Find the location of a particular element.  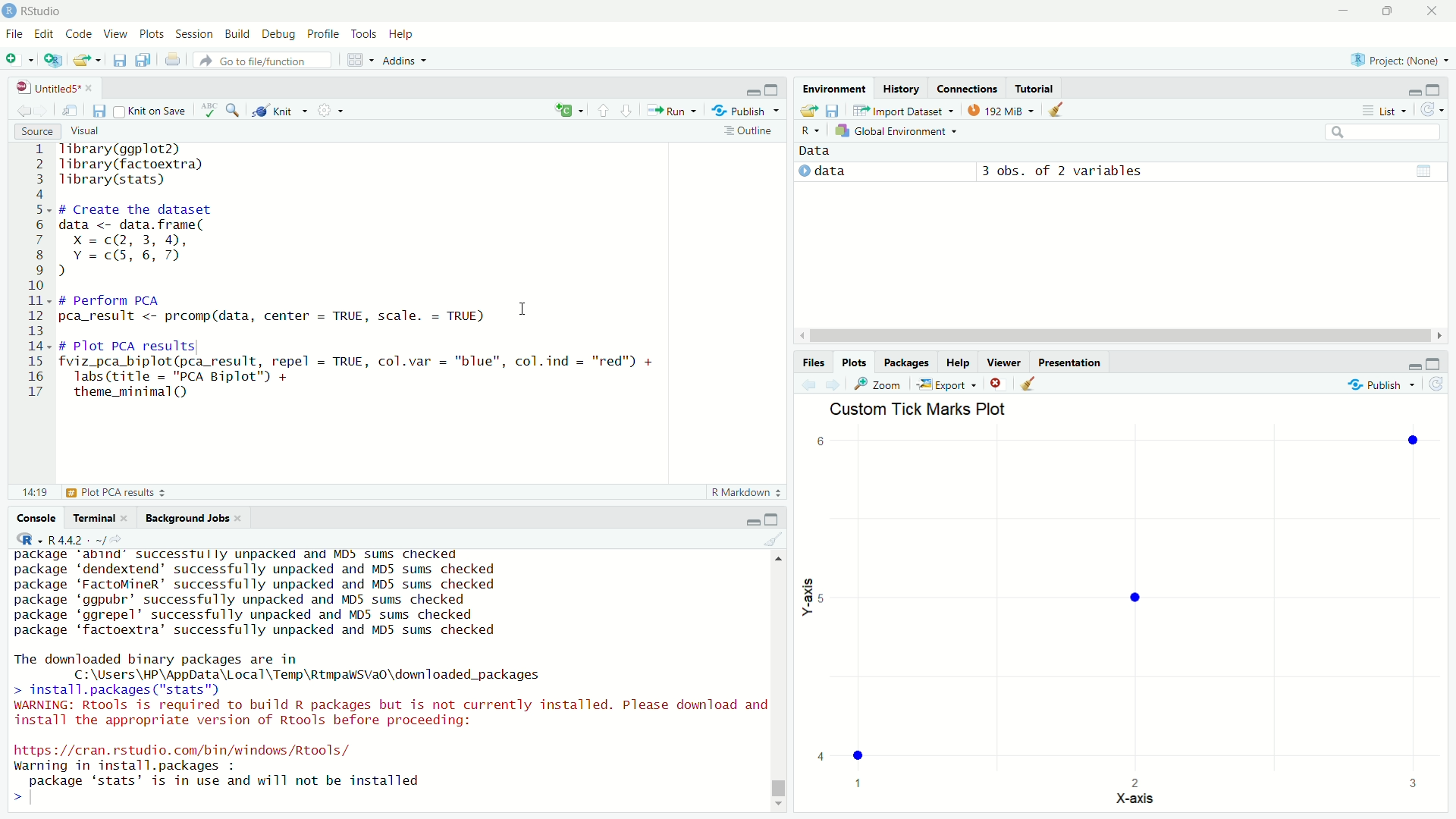

open an existing file is located at coordinates (87, 60).